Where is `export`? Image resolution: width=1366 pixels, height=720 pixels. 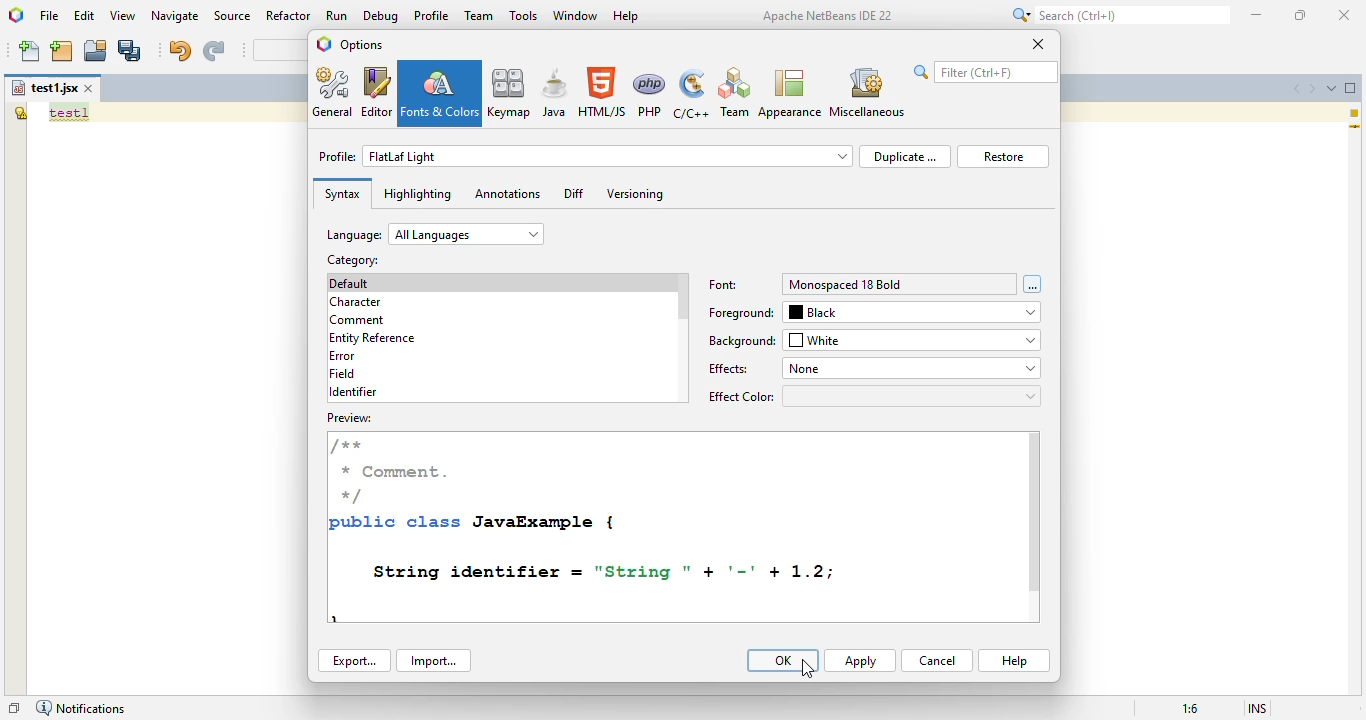
export is located at coordinates (354, 661).